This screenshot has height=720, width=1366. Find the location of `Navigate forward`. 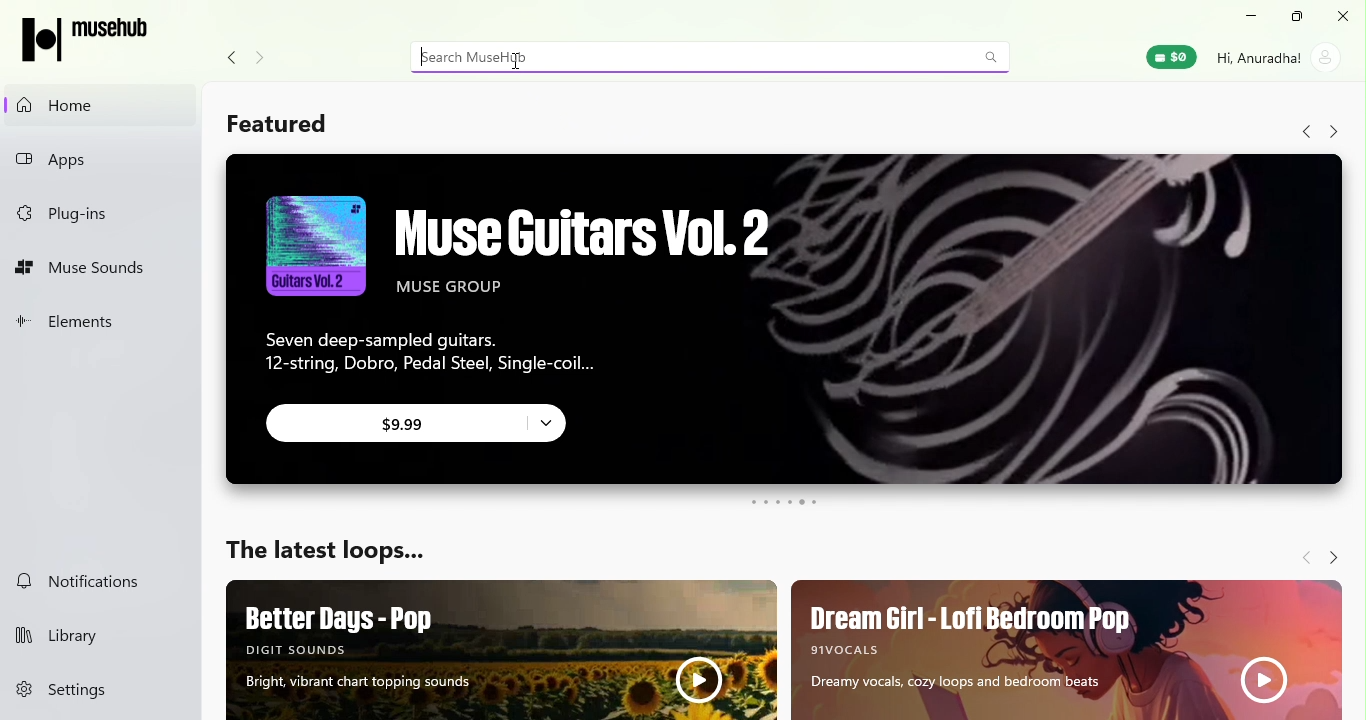

Navigate forward is located at coordinates (1330, 552).